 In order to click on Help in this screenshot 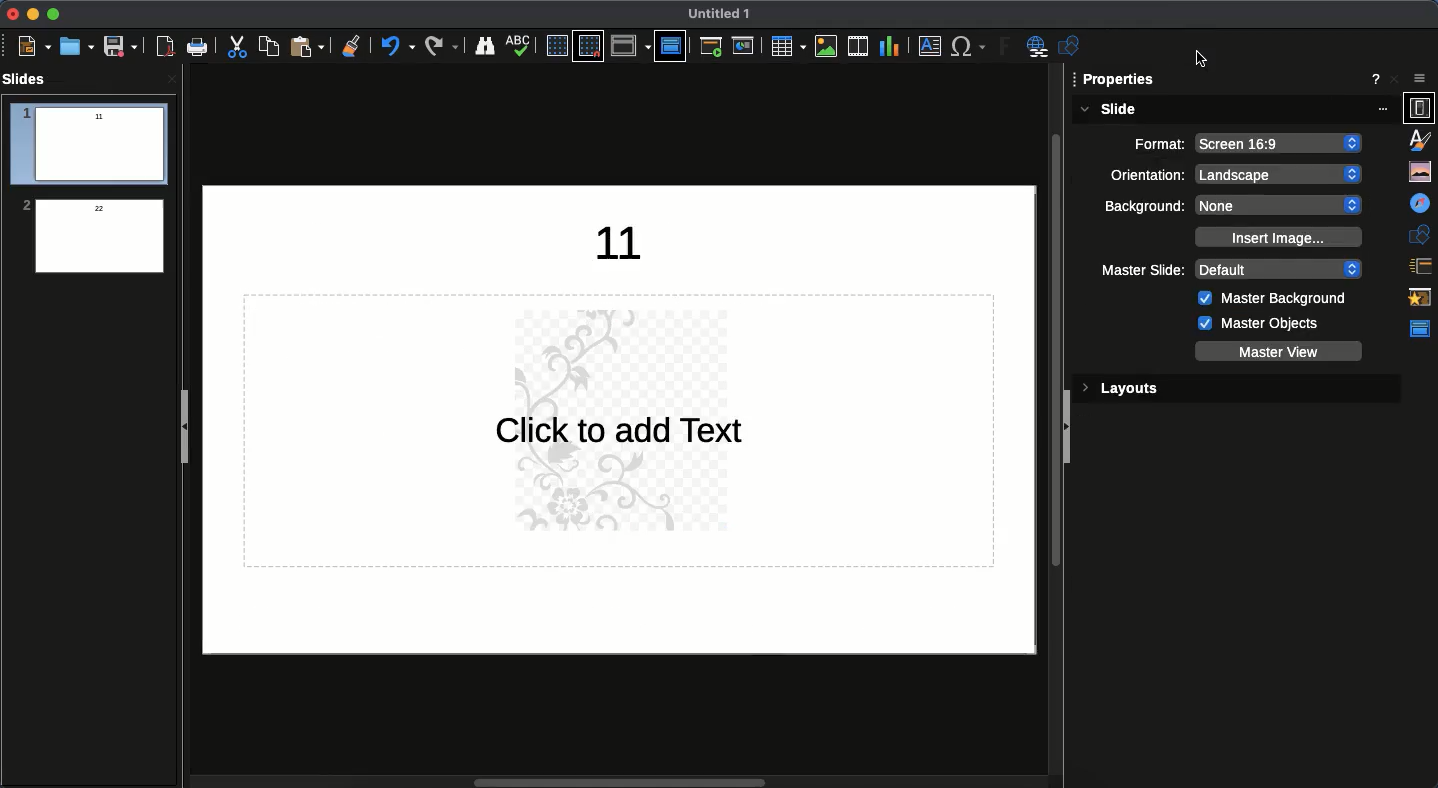, I will do `click(1375, 81)`.